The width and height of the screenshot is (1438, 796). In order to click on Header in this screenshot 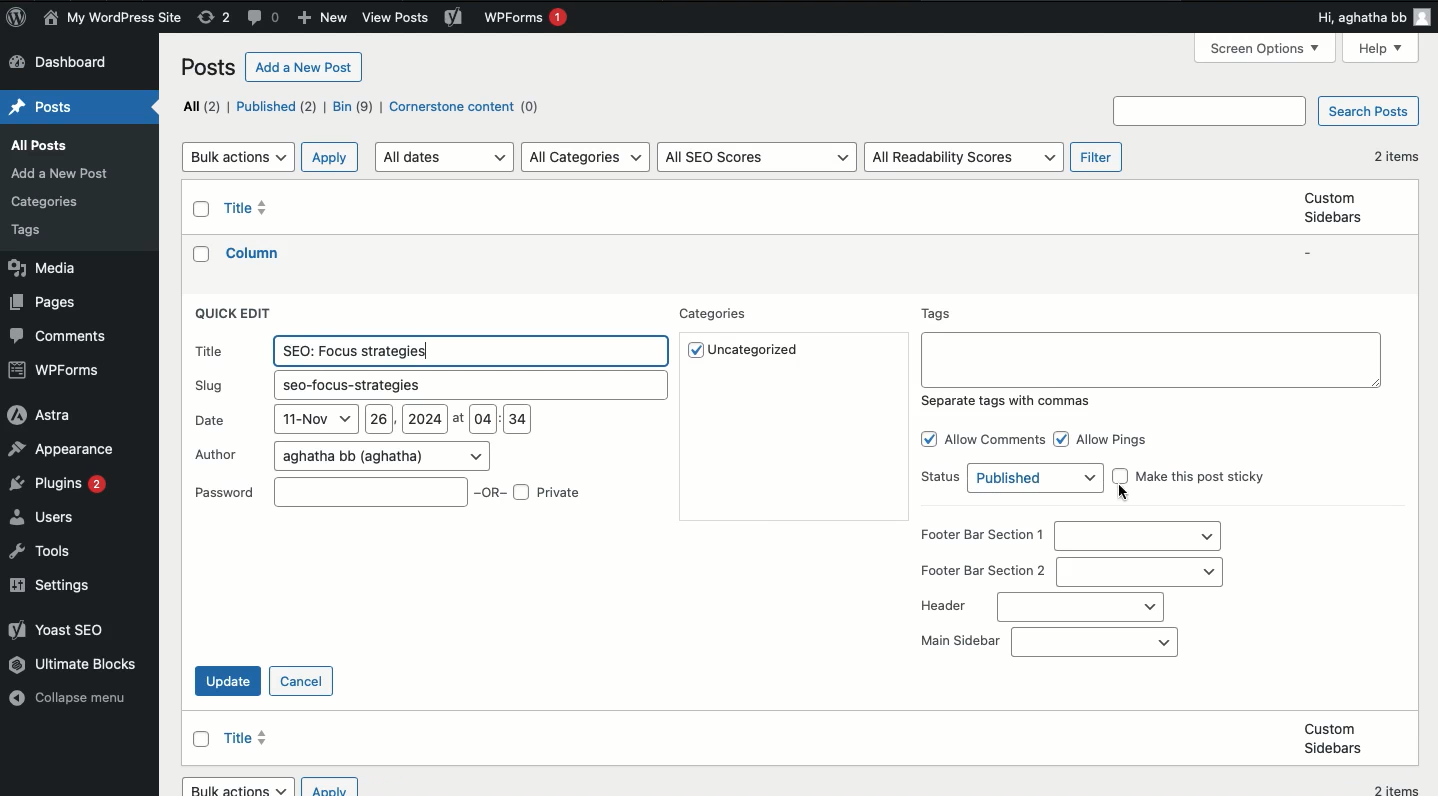, I will do `click(942, 607)`.